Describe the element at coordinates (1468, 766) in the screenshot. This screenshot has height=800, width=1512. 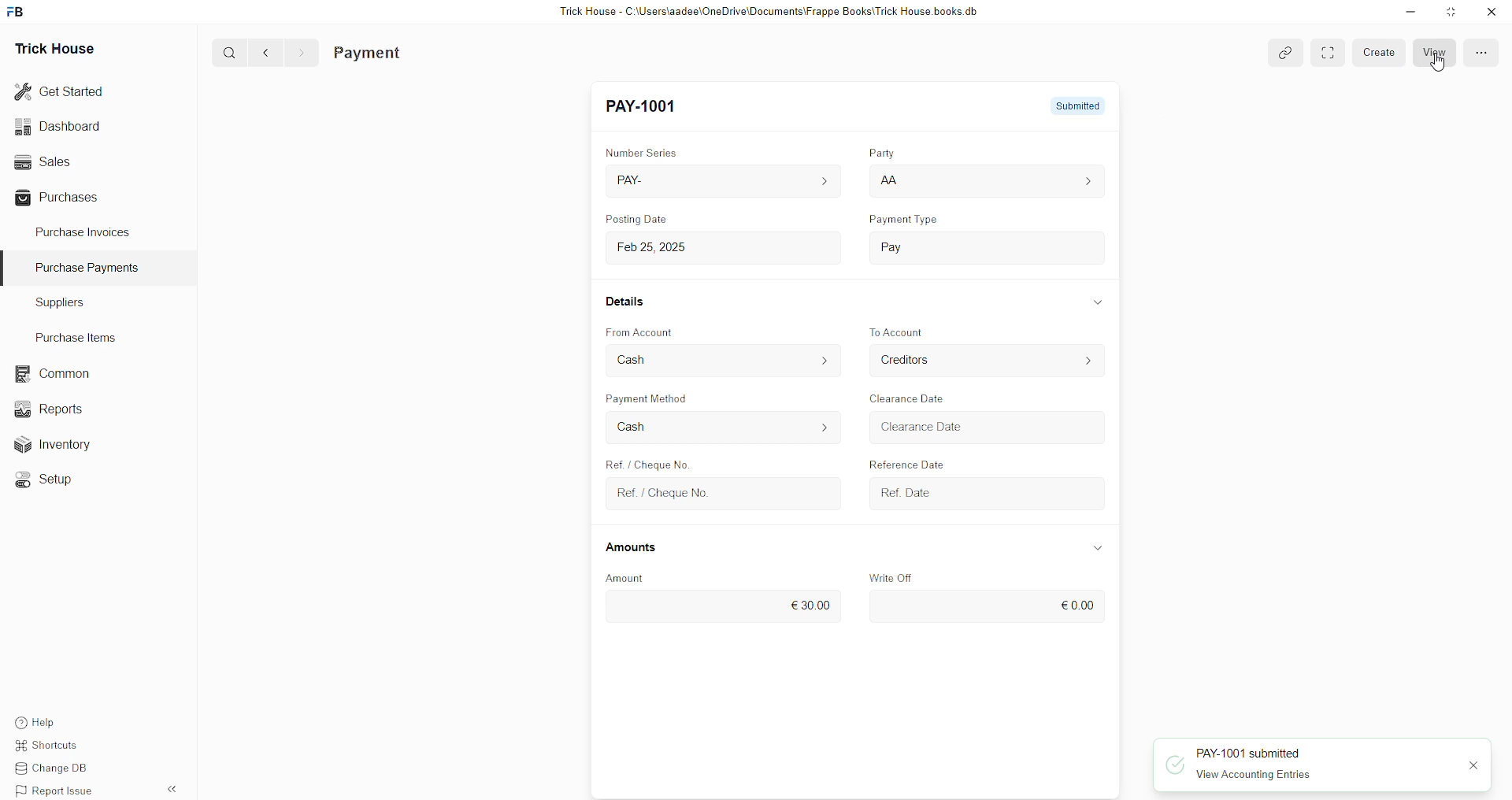
I see `close` at that location.